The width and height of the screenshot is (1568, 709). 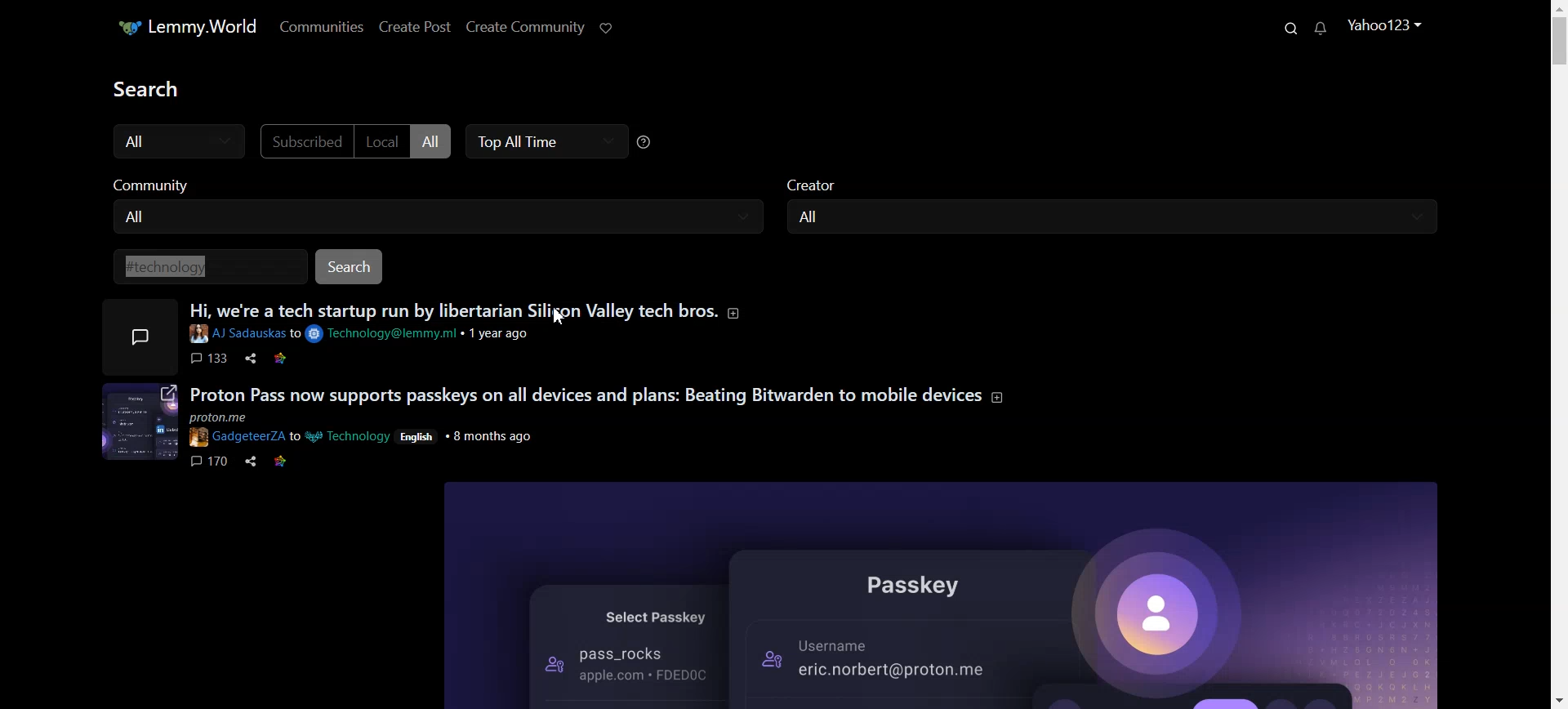 What do you see at coordinates (296, 436) in the screenshot?
I see `to` at bounding box center [296, 436].